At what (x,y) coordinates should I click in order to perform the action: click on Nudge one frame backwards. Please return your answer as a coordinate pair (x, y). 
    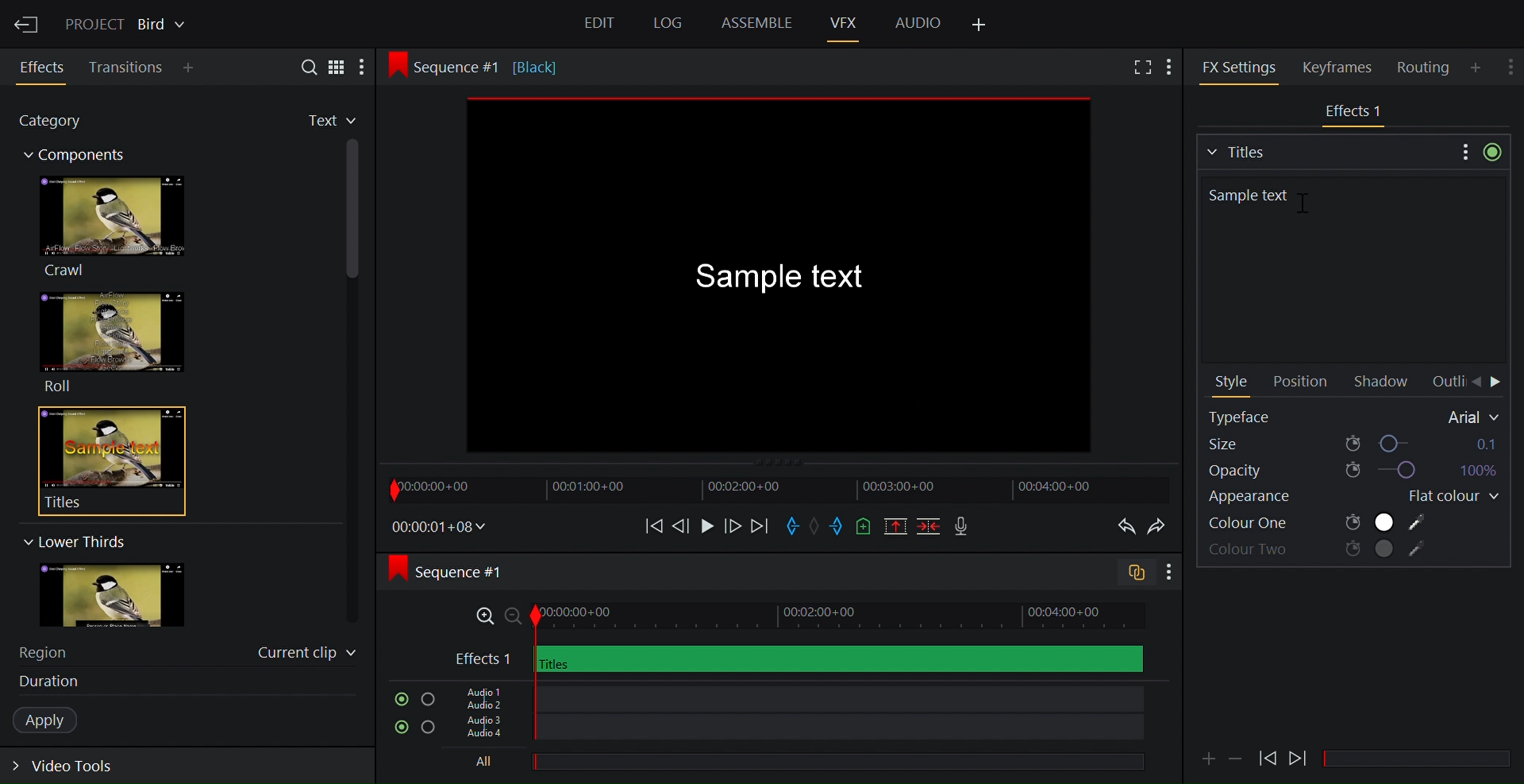
    Looking at the image, I should click on (682, 525).